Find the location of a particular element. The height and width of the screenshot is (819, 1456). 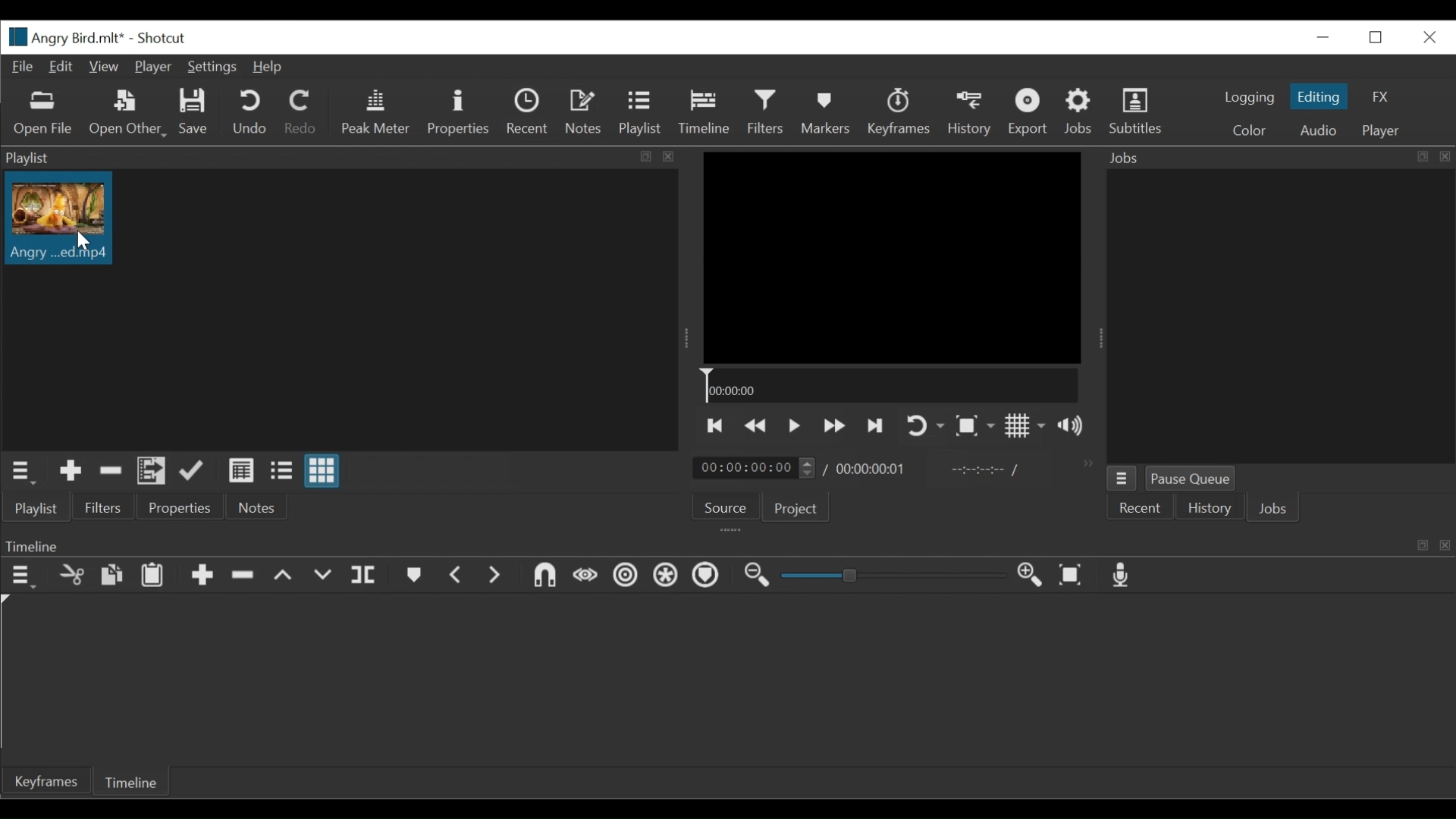

Close is located at coordinates (1430, 38).